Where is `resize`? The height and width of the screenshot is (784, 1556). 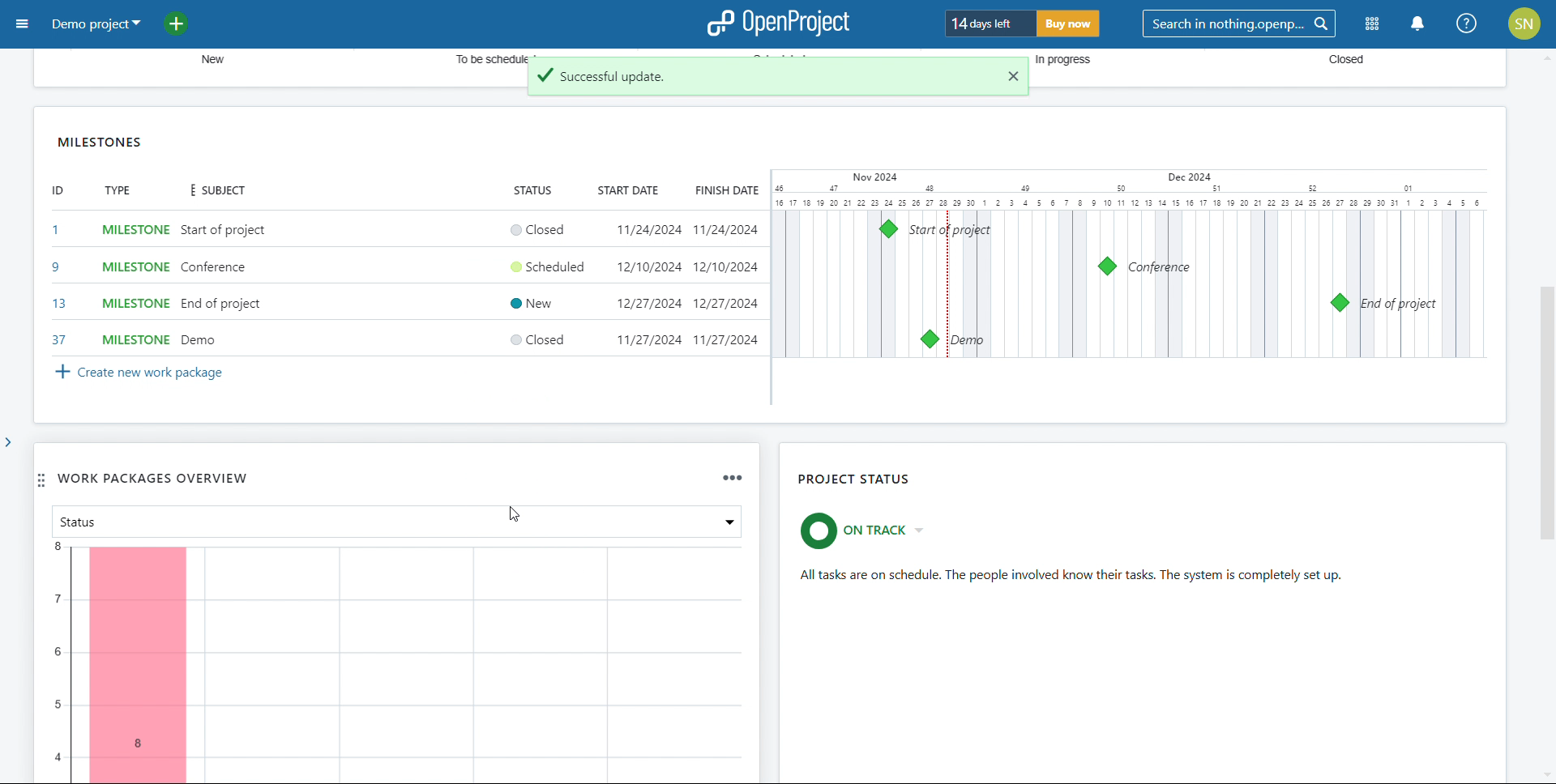 resize is located at coordinates (1495, 415).